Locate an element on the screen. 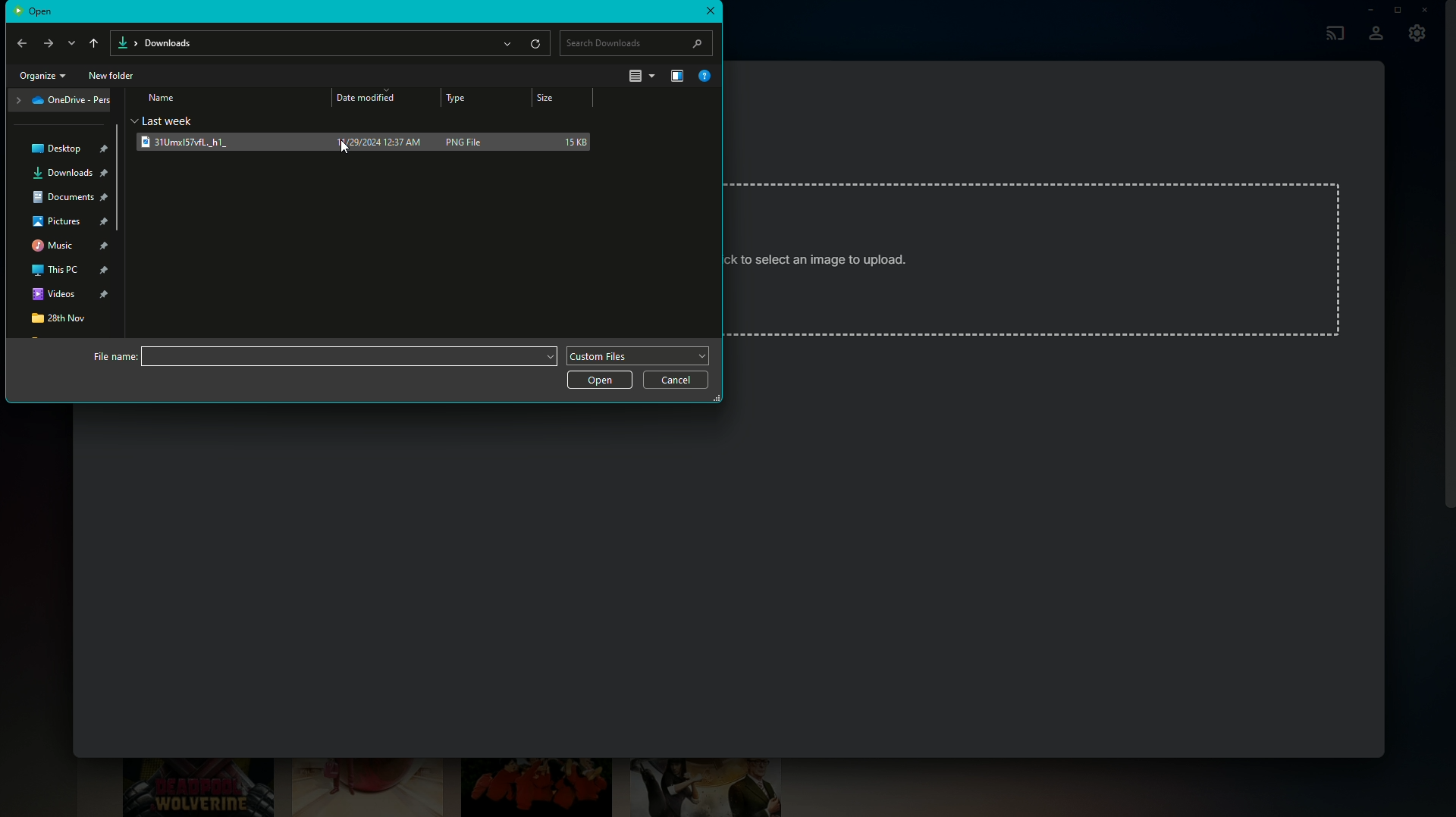  Forward is located at coordinates (49, 44).